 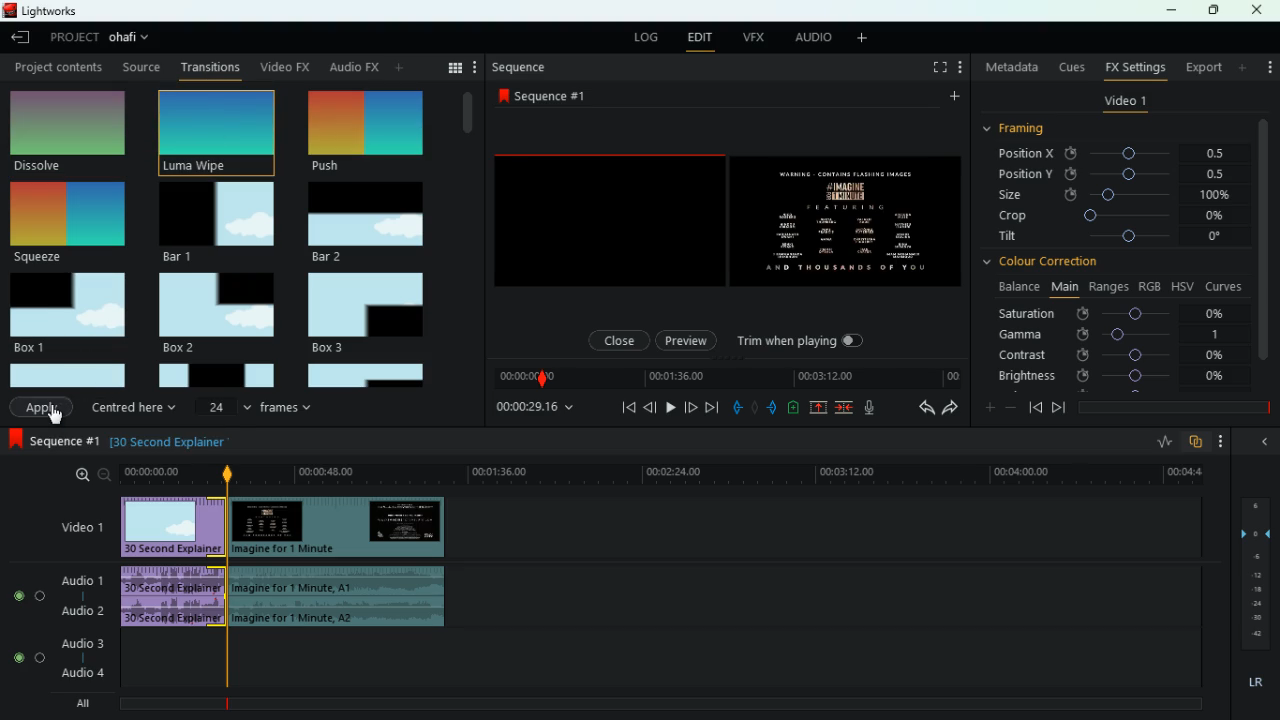 I want to click on push, so click(x=220, y=132).